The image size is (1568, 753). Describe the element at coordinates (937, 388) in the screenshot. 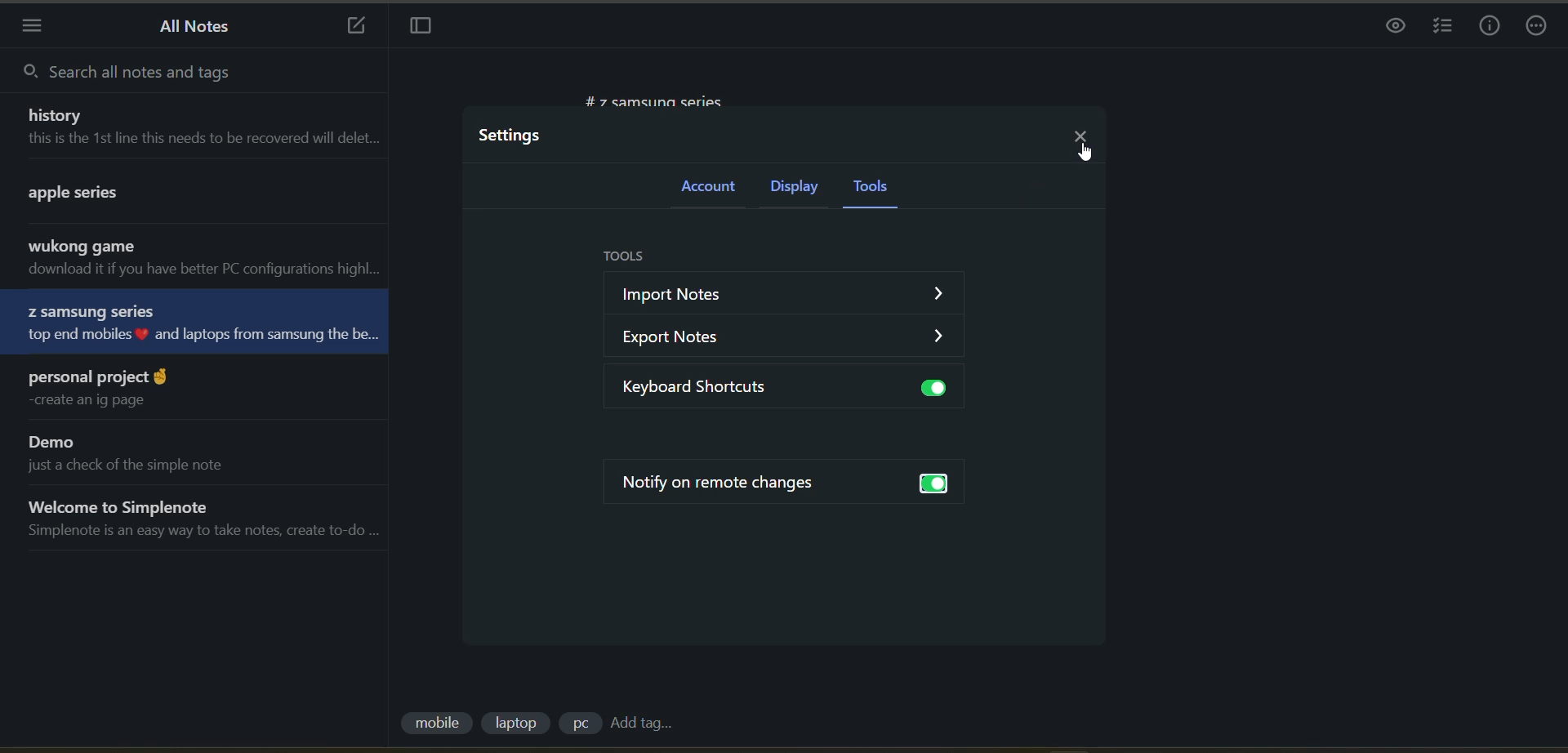

I see `toggle off` at that location.